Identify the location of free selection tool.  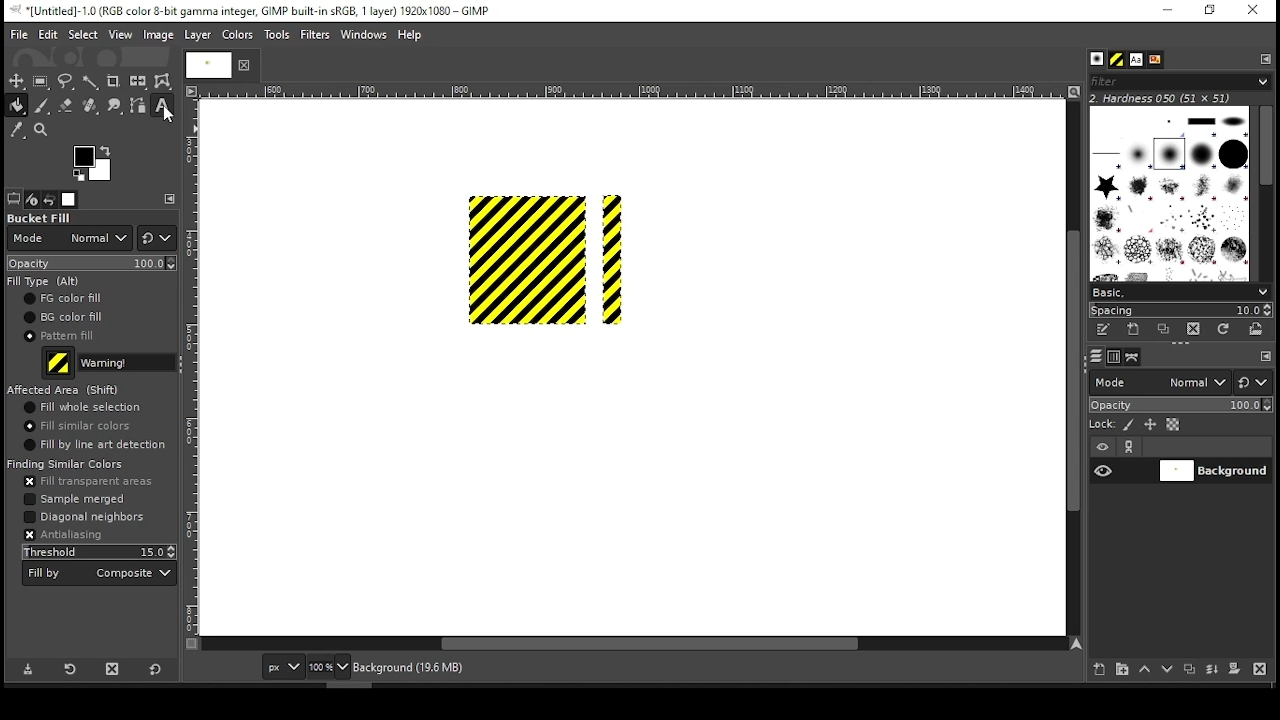
(68, 82).